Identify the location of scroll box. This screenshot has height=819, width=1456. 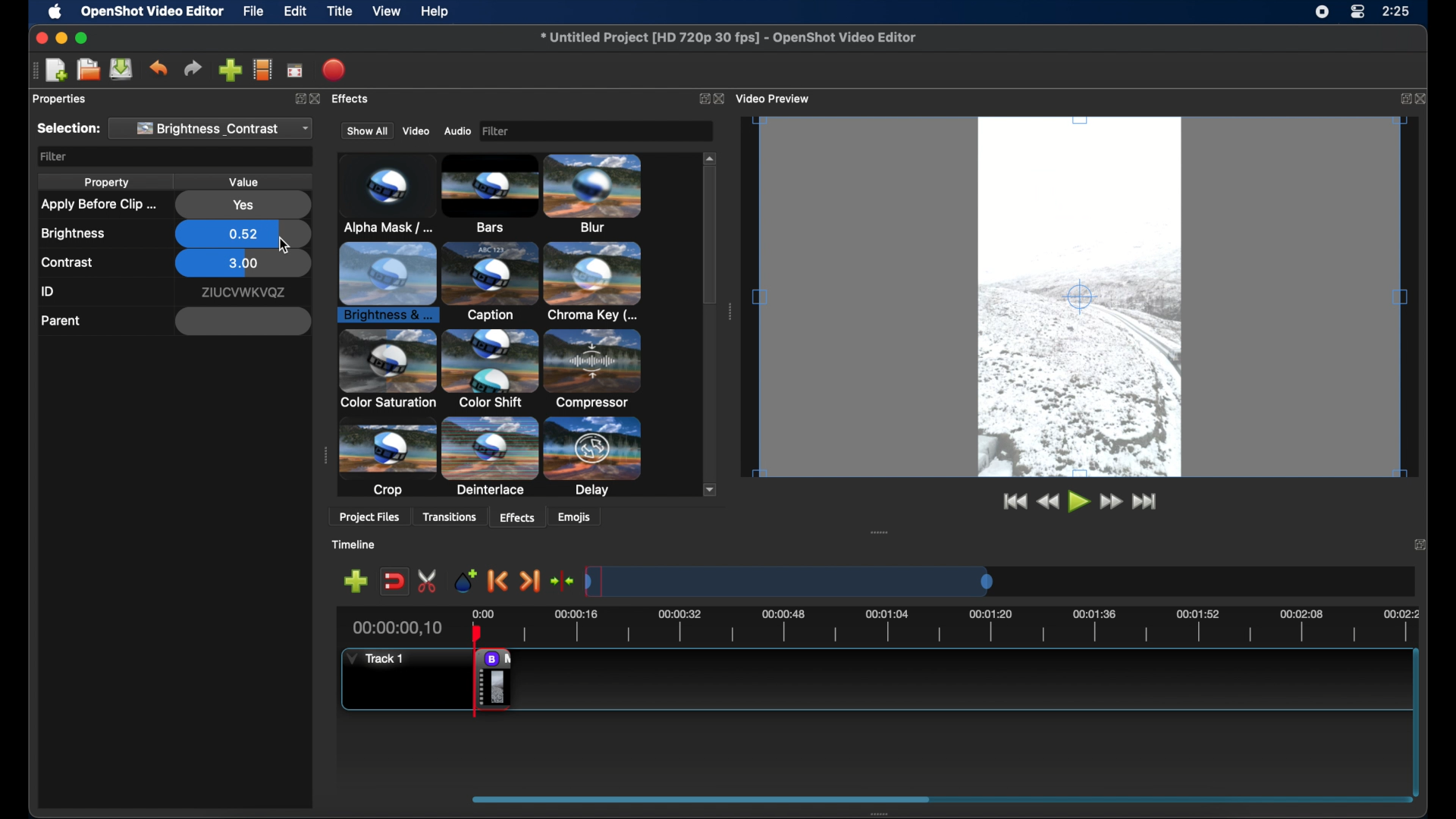
(711, 259).